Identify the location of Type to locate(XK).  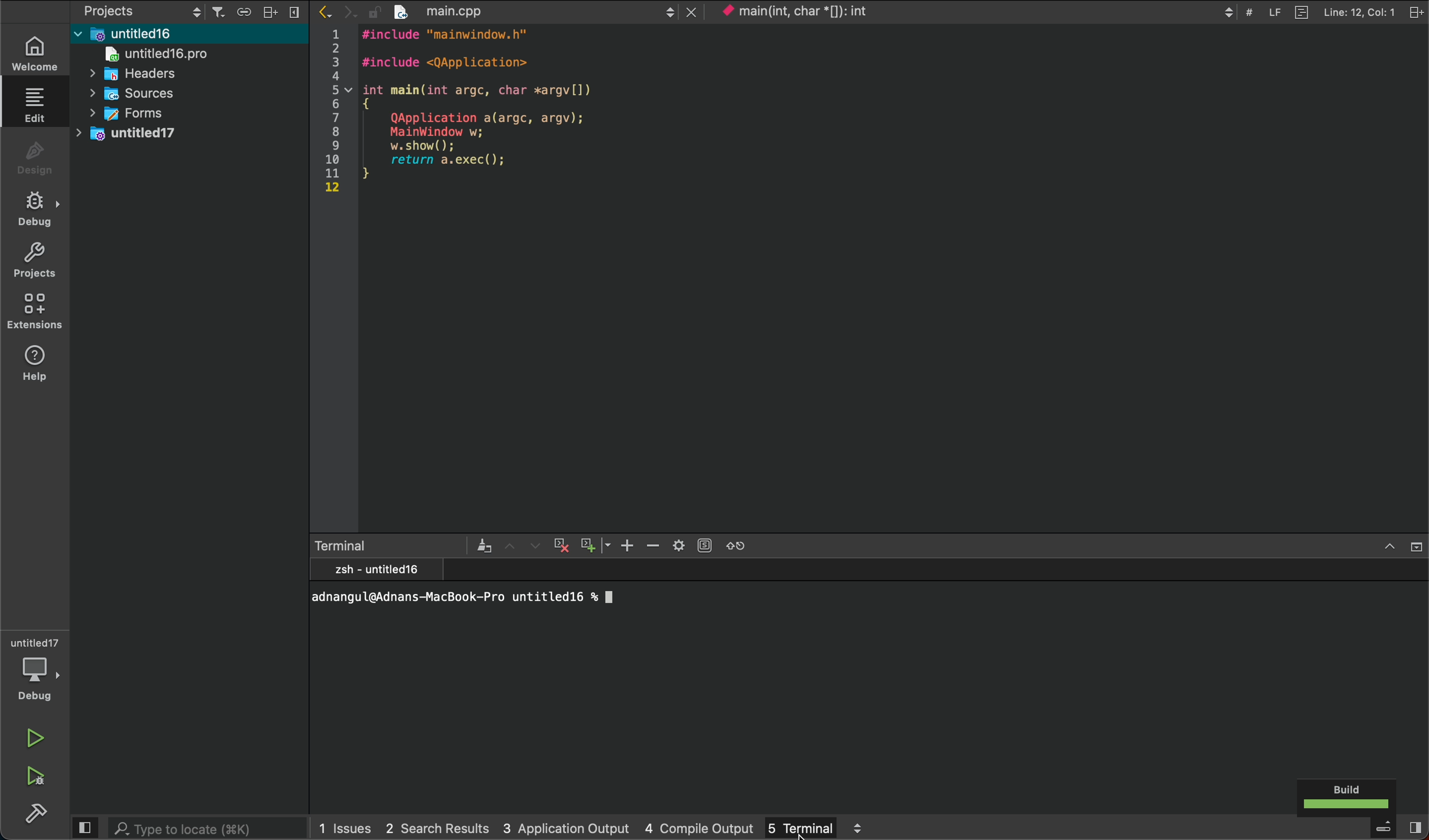
(208, 828).